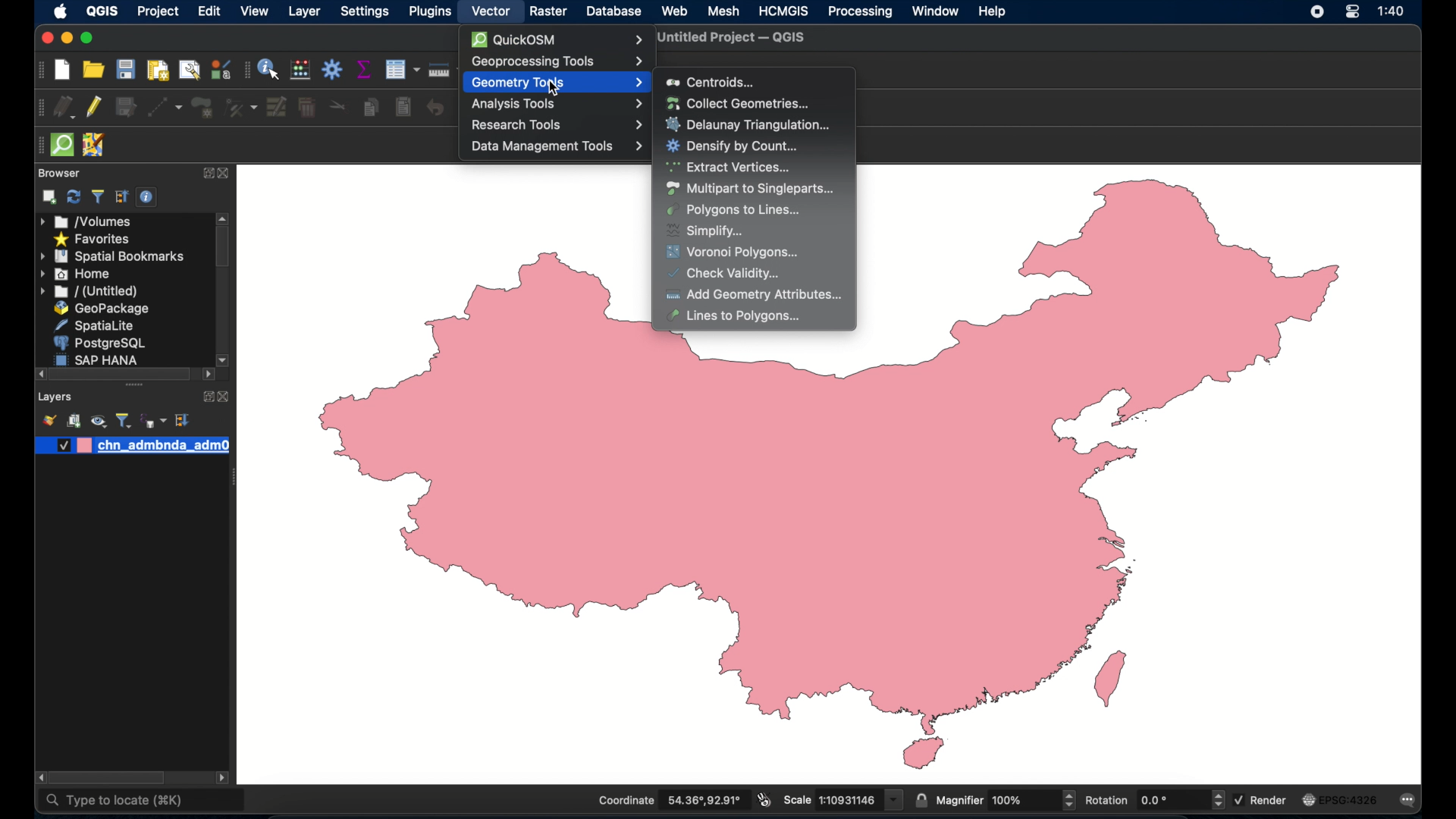 The image size is (1456, 819). What do you see at coordinates (842, 799) in the screenshot?
I see `scale` at bounding box center [842, 799].